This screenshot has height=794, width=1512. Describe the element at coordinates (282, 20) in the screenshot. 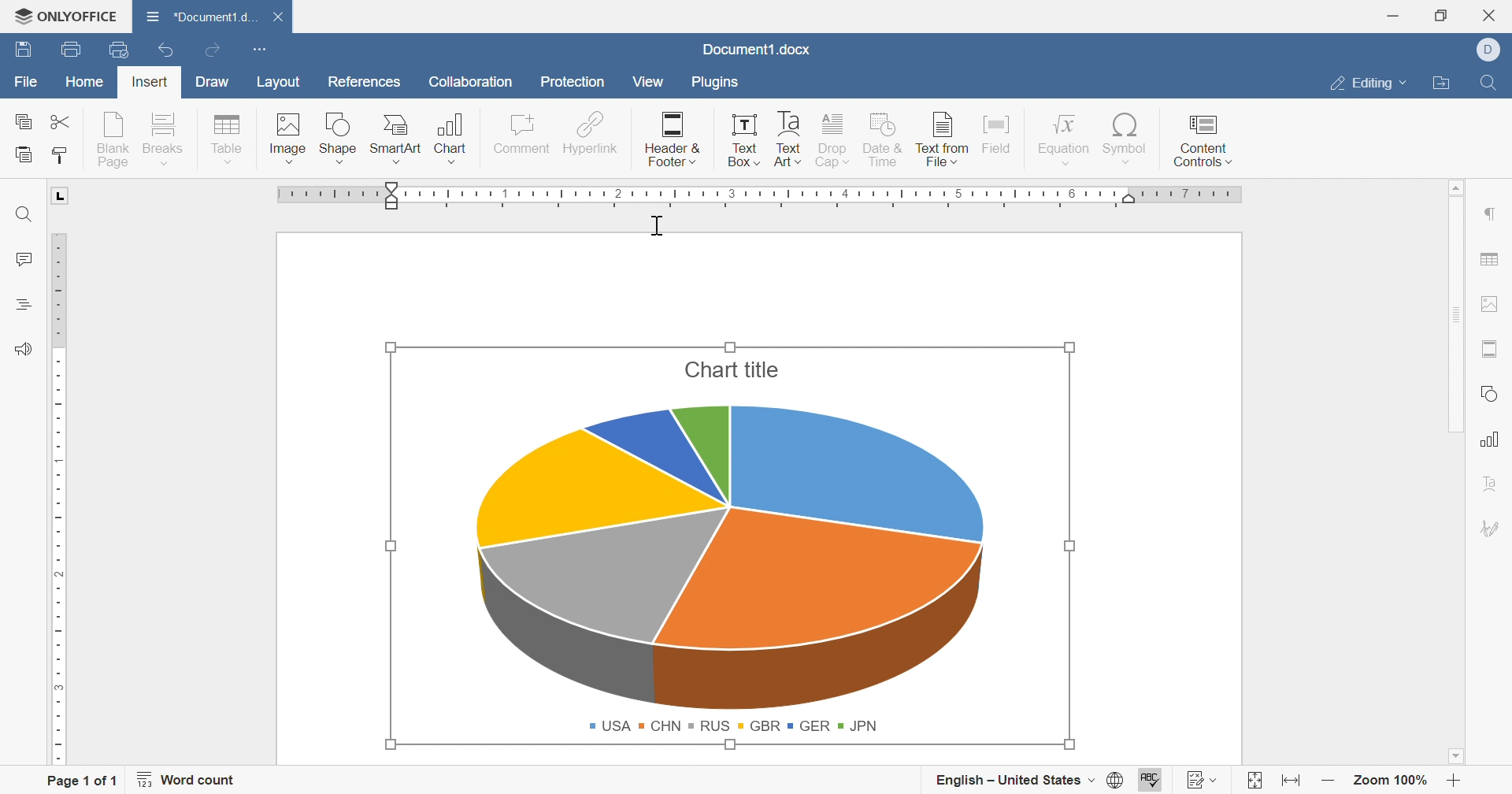

I see `Delete` at that location.